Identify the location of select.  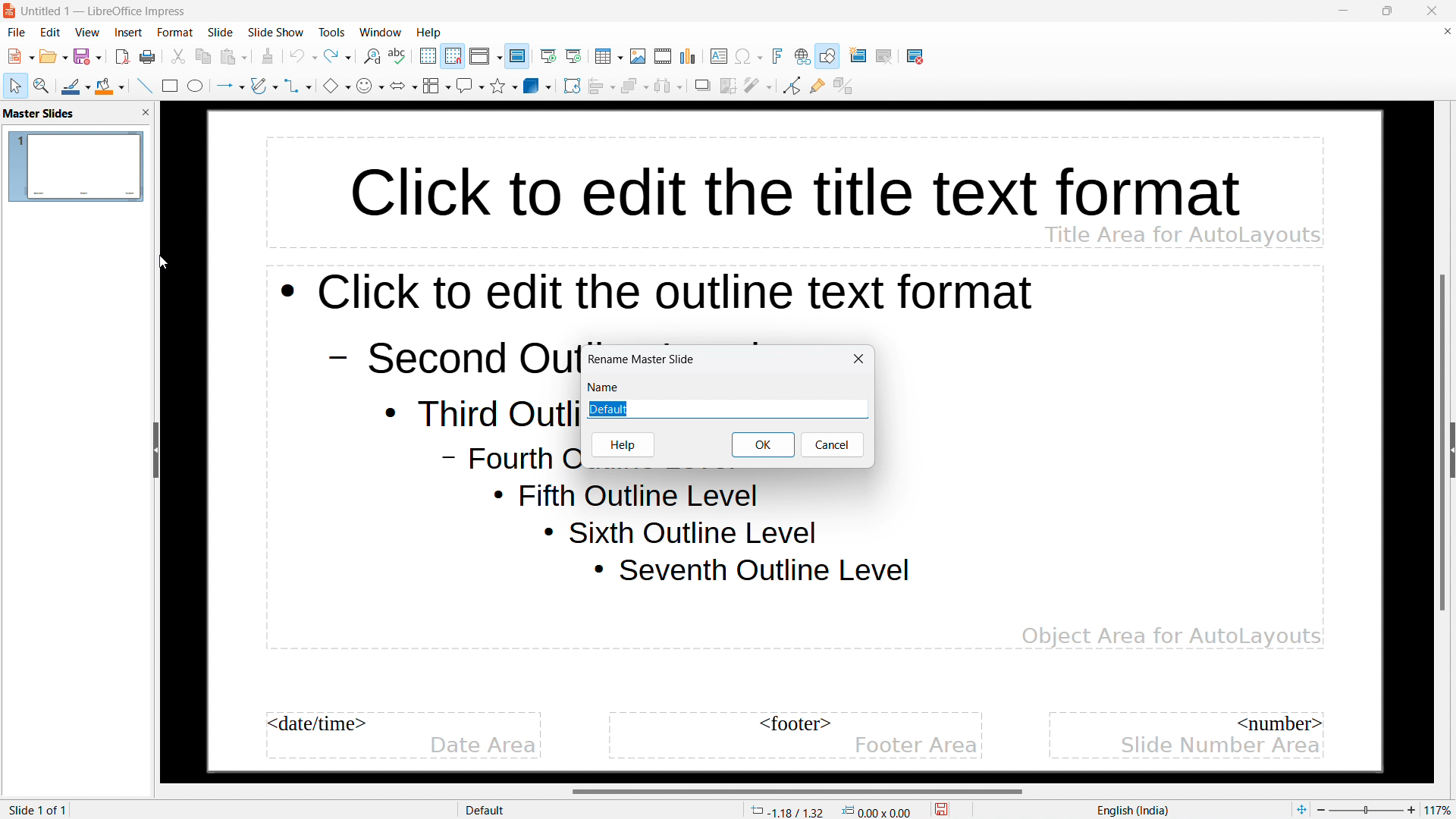
(17, 86).